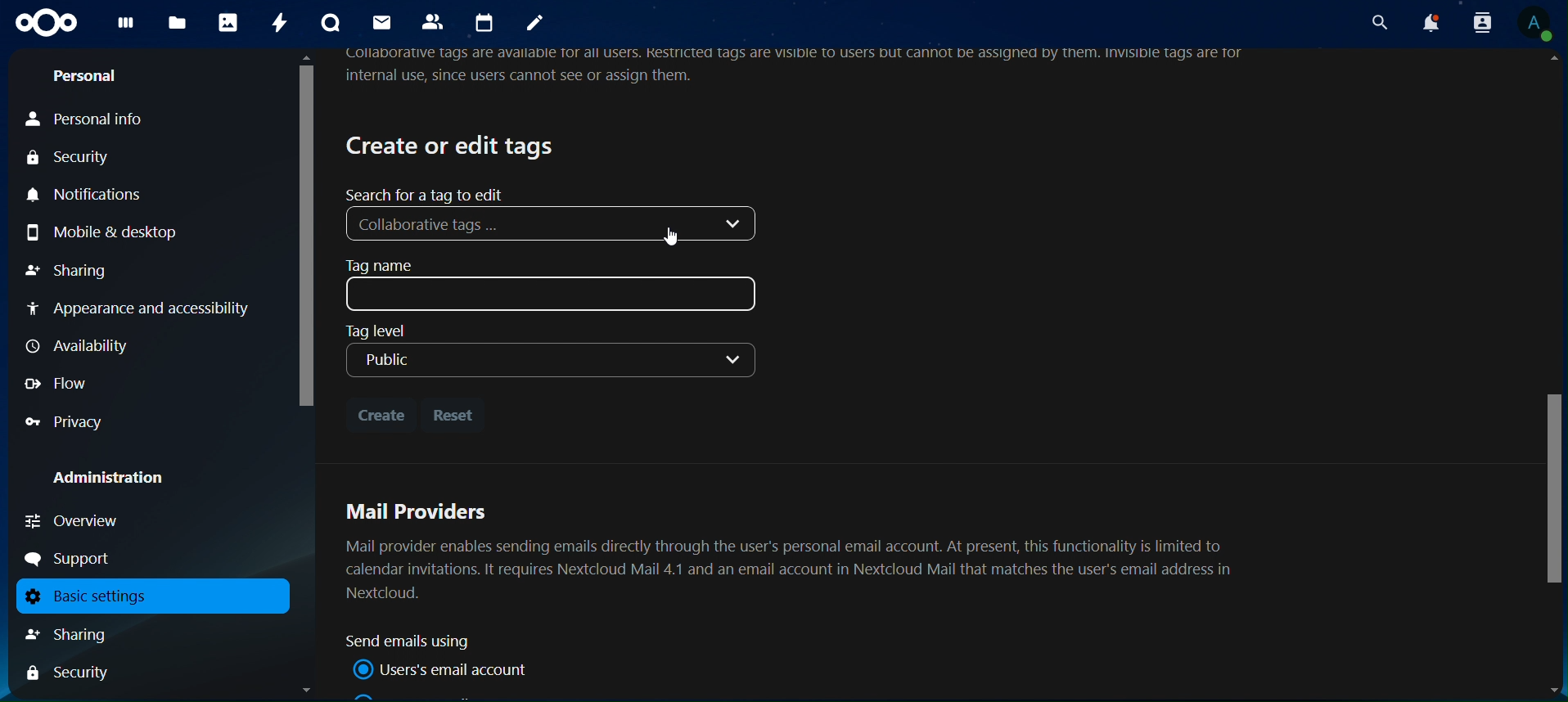 Image resolution: width=1568 pixels, height=702 pixels. I want to click on user mail account, so click(445, 669).